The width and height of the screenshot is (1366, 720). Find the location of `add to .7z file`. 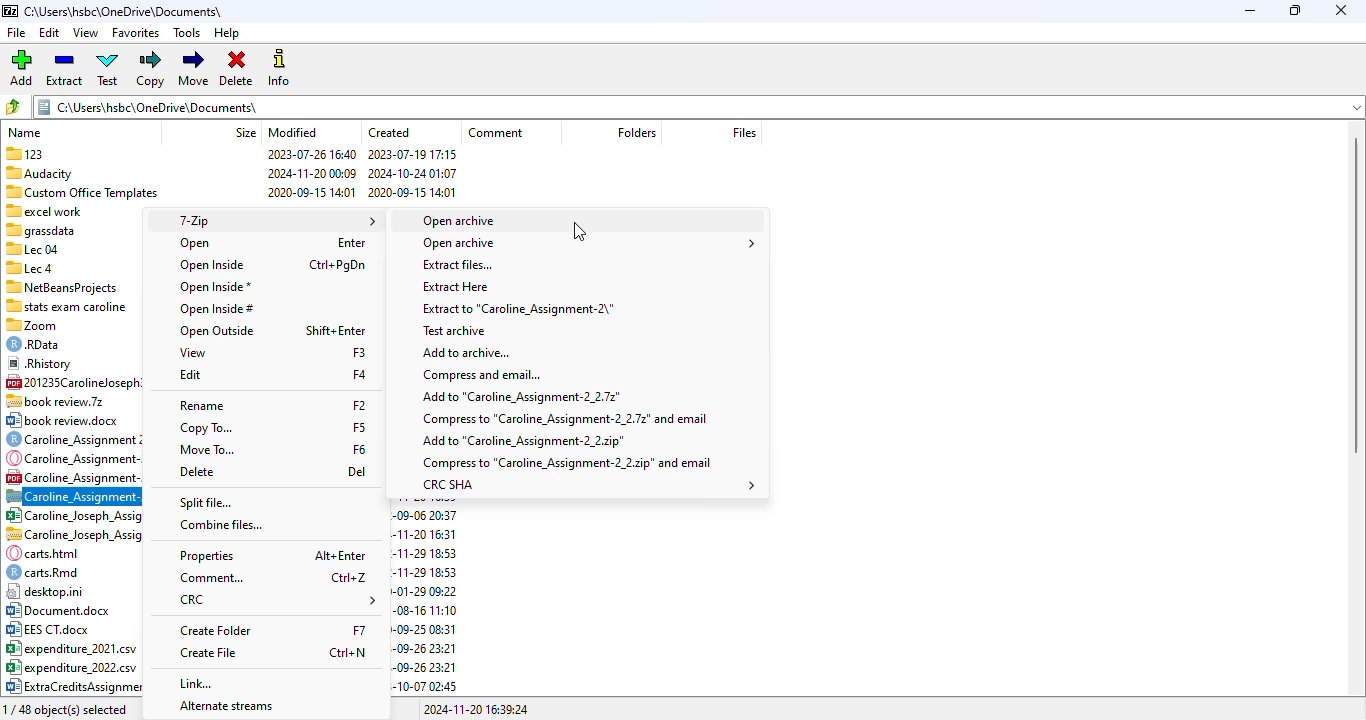

add to .7z file is located at coordinates (521, 397).